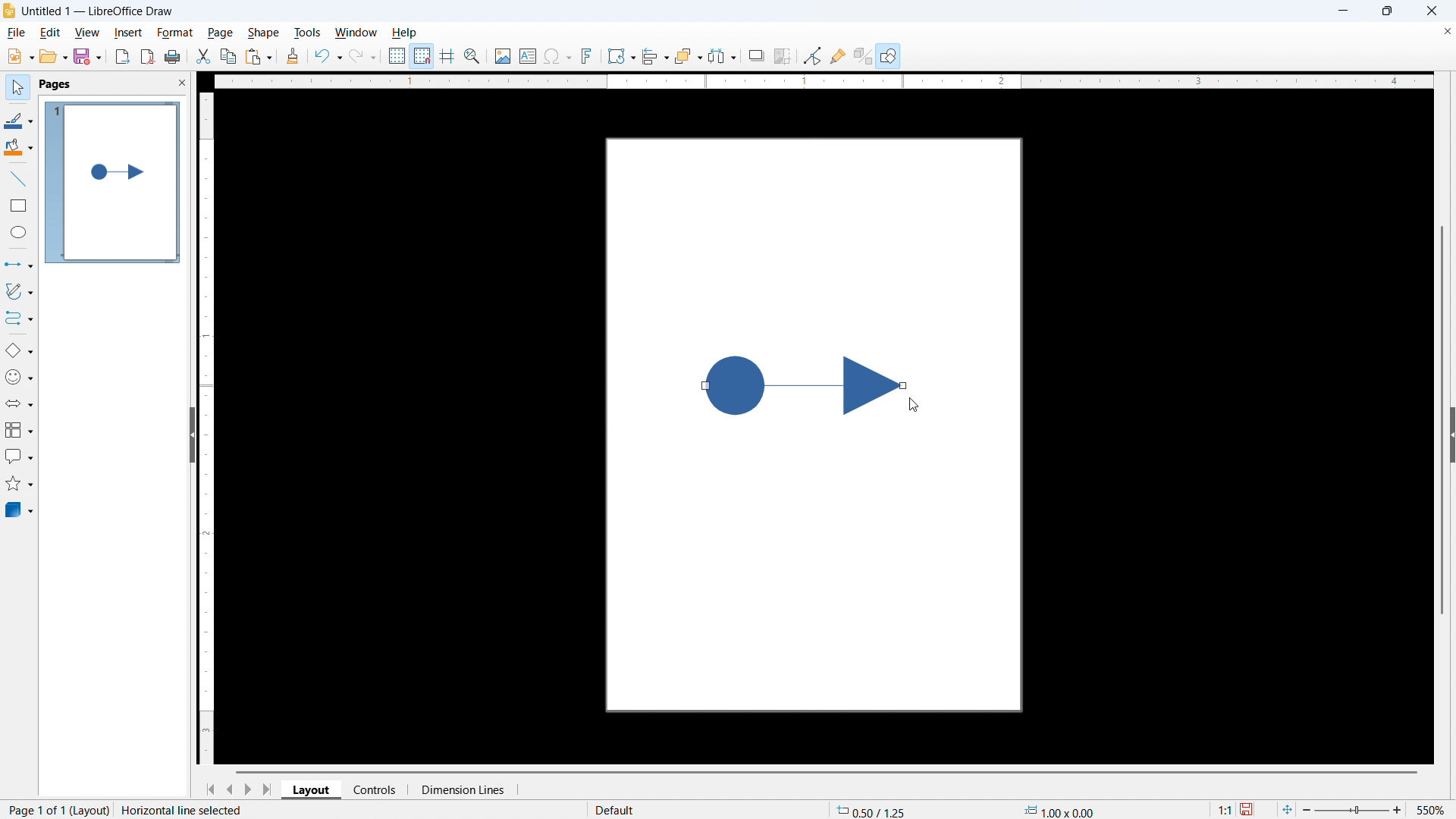 The width and height of the screenshot is (1456, 819). Describe the element at coordinates (88, 55) in the screenshot. I see `save ` at that location.